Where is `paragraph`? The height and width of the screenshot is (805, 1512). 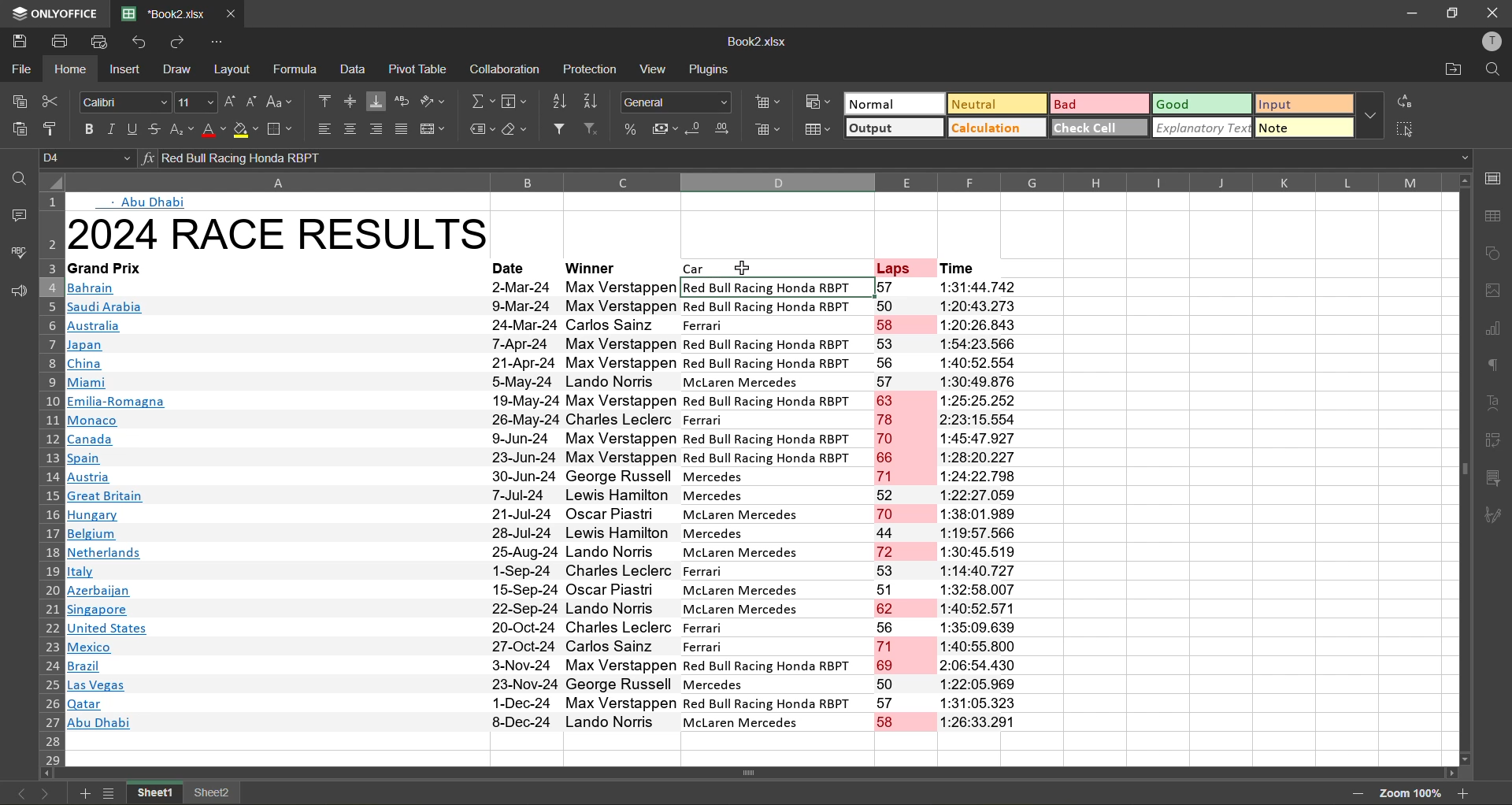 paragraph is located at coordinates (1494, 368).